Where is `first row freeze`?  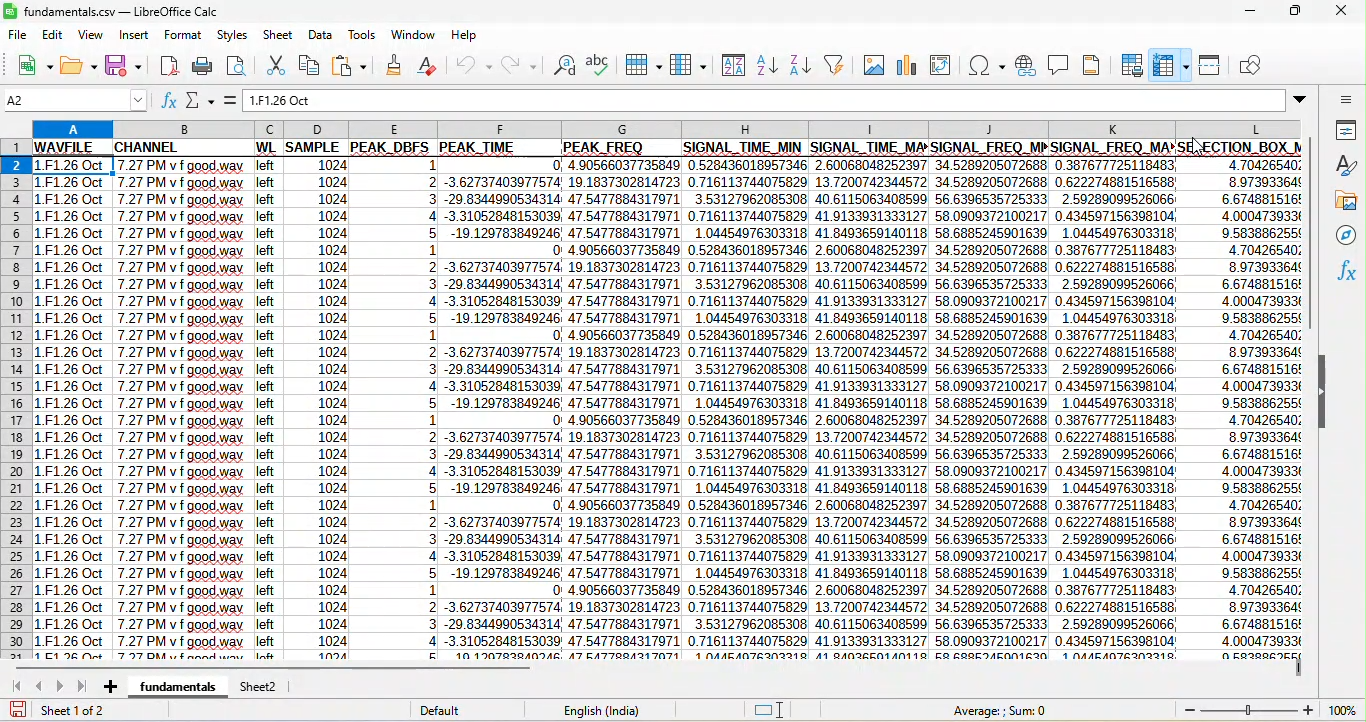 first row freeze is located at coordinates (668, 147).